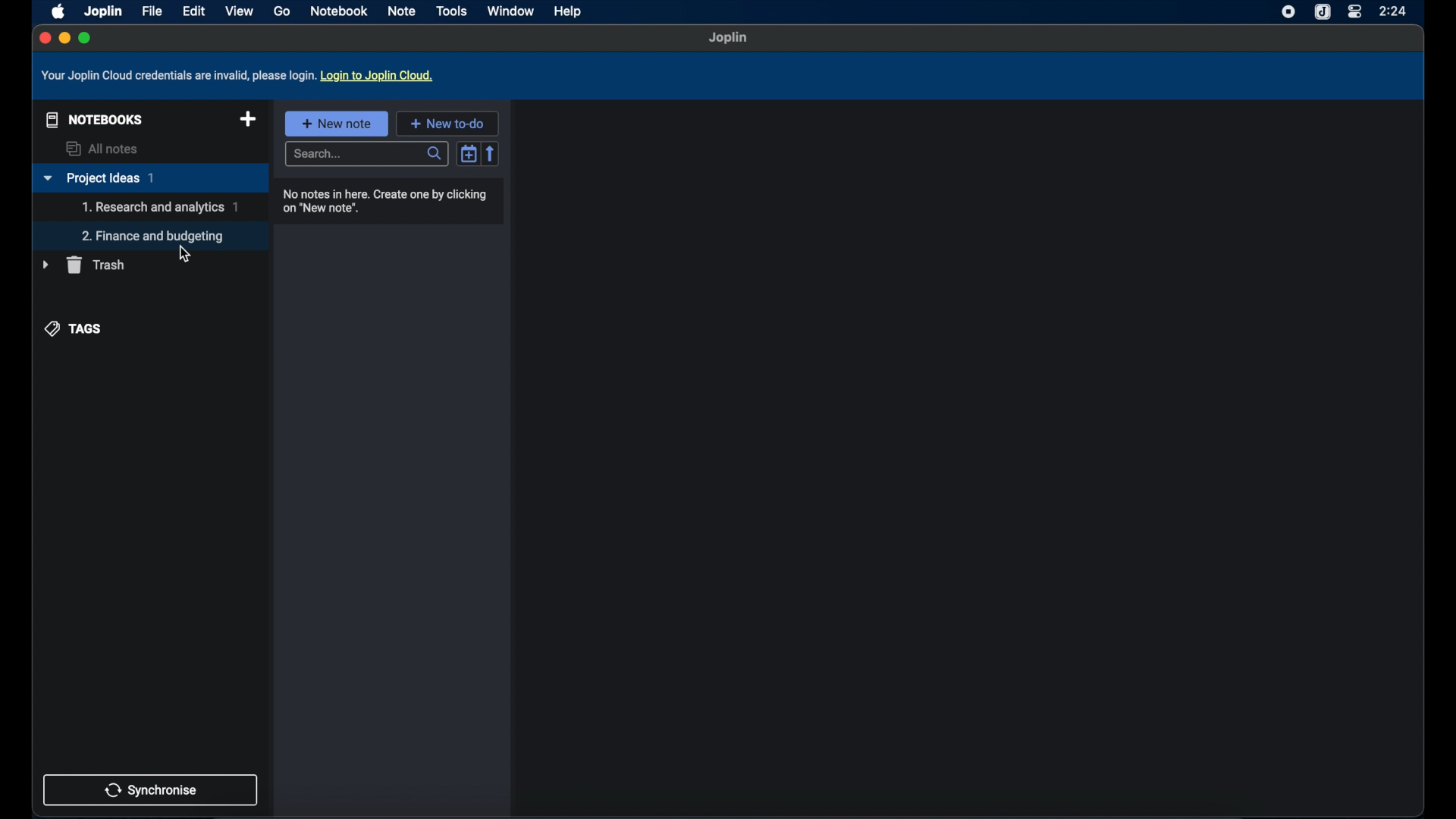 Image resolution: width=1456 pixels, height=819 pixels. What do you see at coordinates (104, 149) in the screenshot?
I see `all notes` at bounding box center [104, 149].